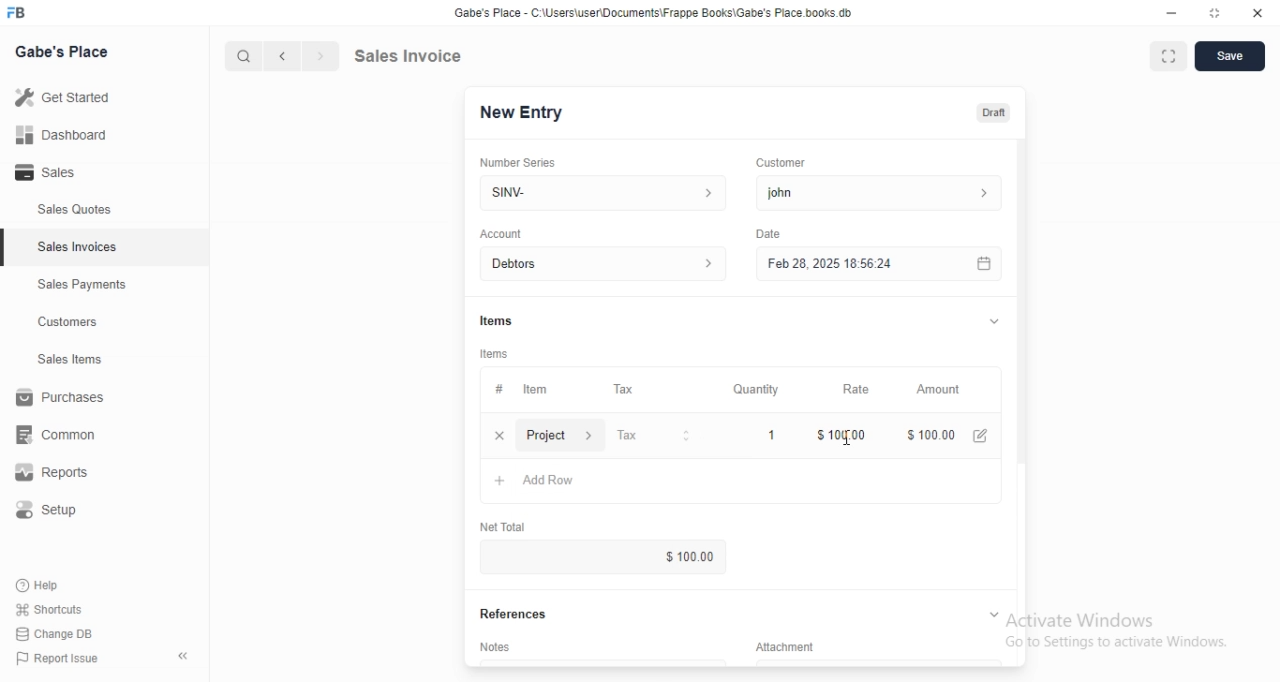  Describe the element at coordinates (77, 285) in the screenshot. I see `Sales Payments` at that location.